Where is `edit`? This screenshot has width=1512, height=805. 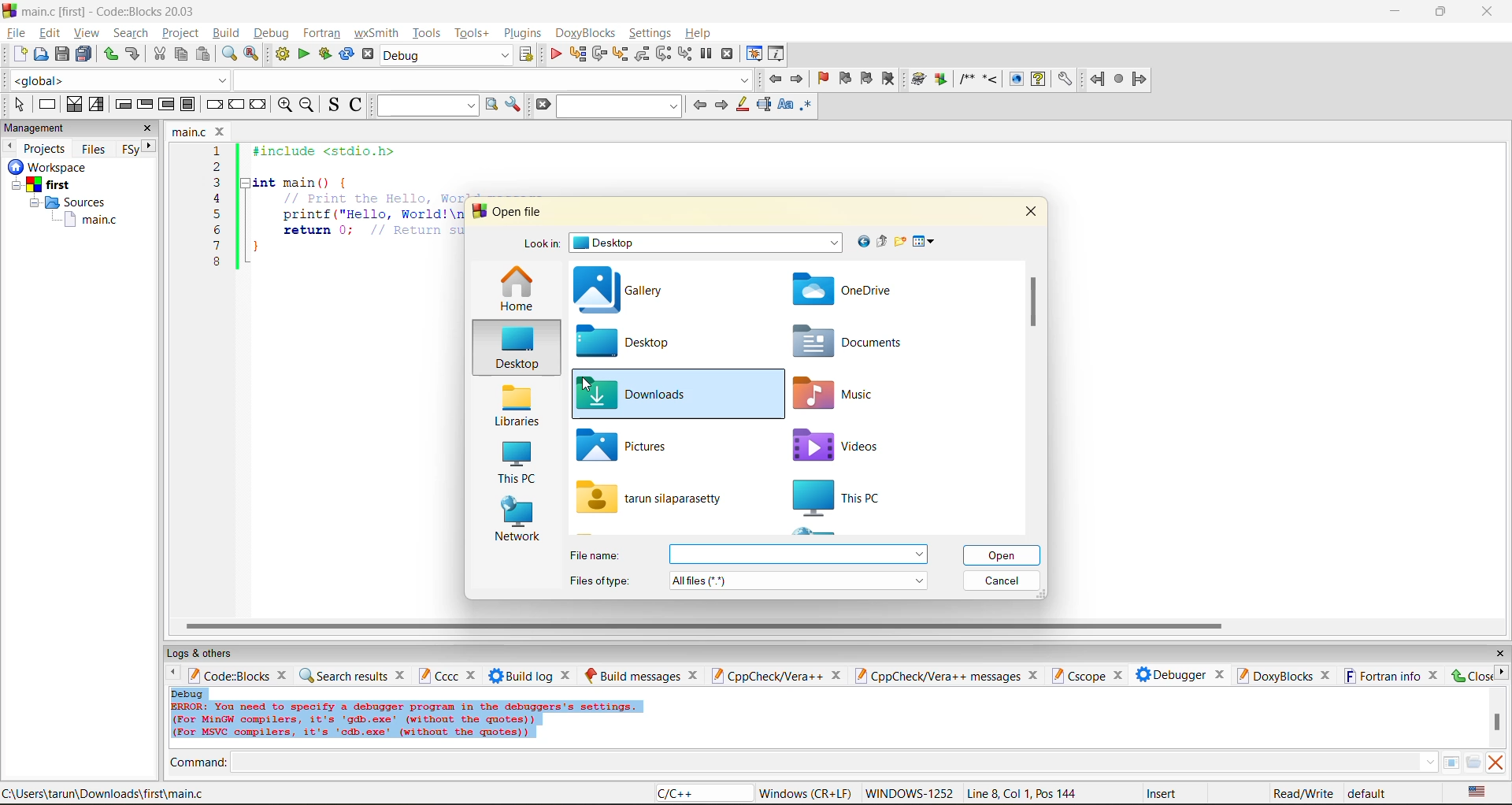 edit is located at coordinates (52, 33).